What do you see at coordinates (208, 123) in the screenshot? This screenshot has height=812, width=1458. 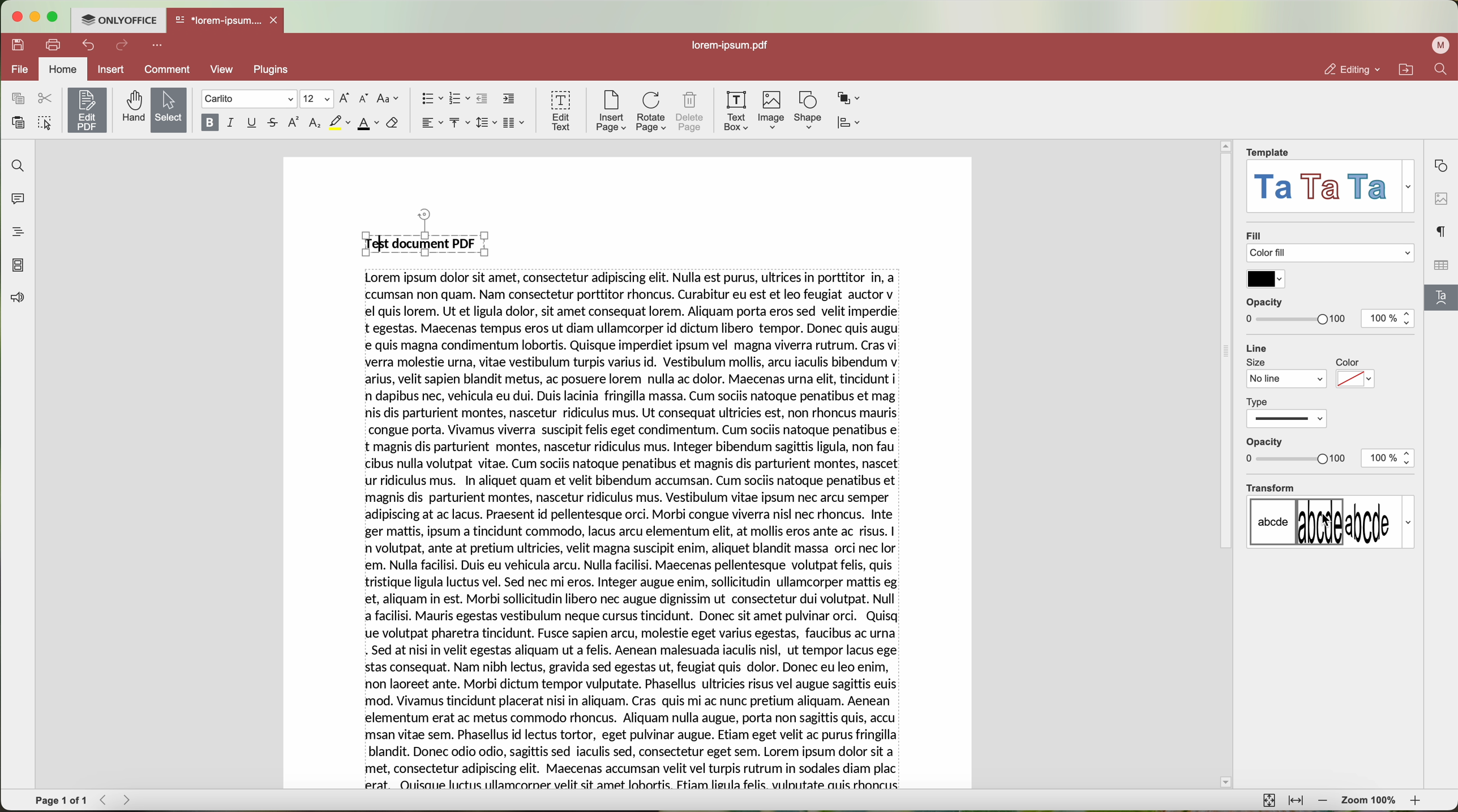 I see `bold` at bounding box center [208, 123].